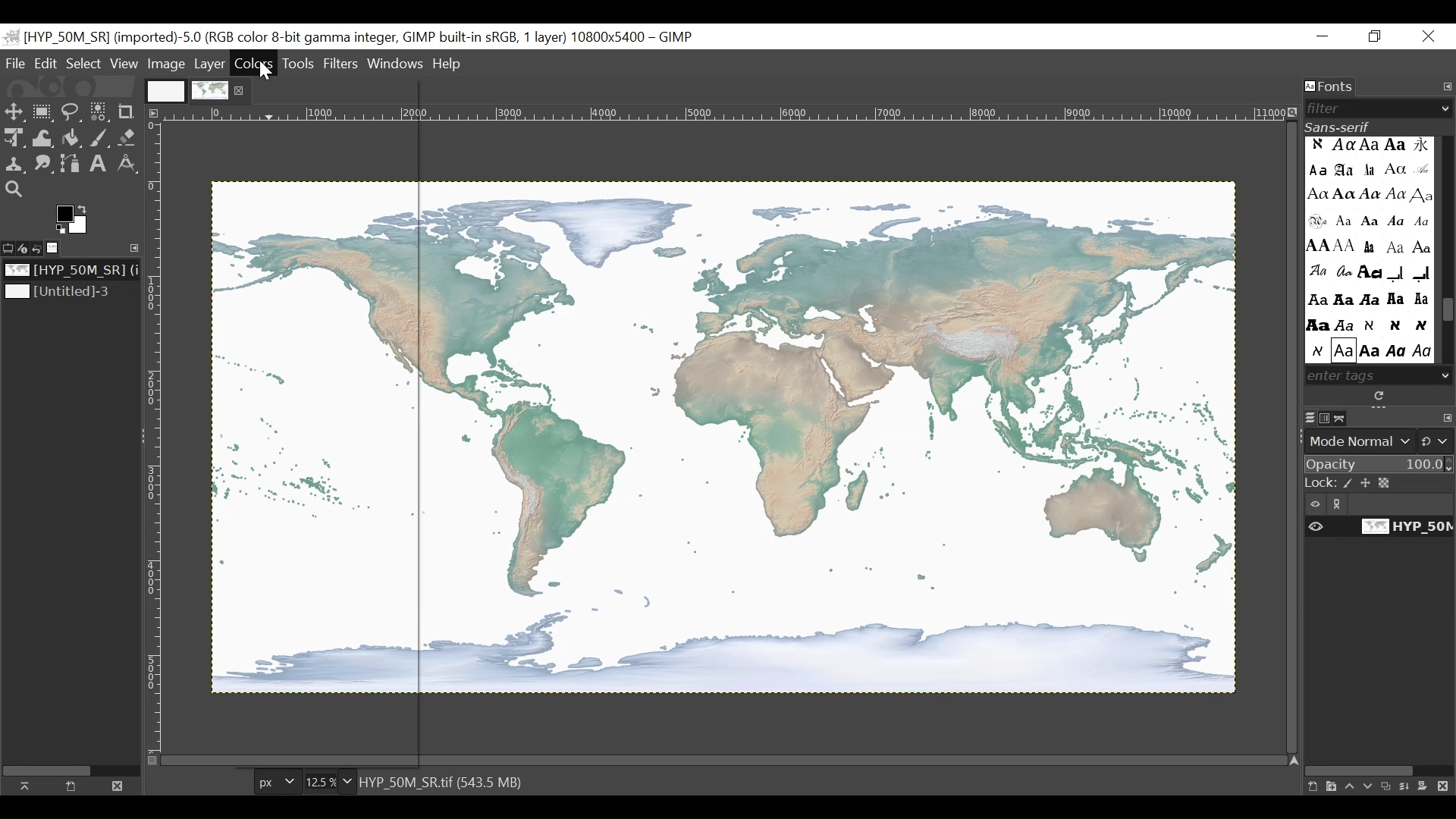 The image size is (1456, 819). Describe the element at coordinates (397, 61) in the screenshot. I see `Windows` at that location.